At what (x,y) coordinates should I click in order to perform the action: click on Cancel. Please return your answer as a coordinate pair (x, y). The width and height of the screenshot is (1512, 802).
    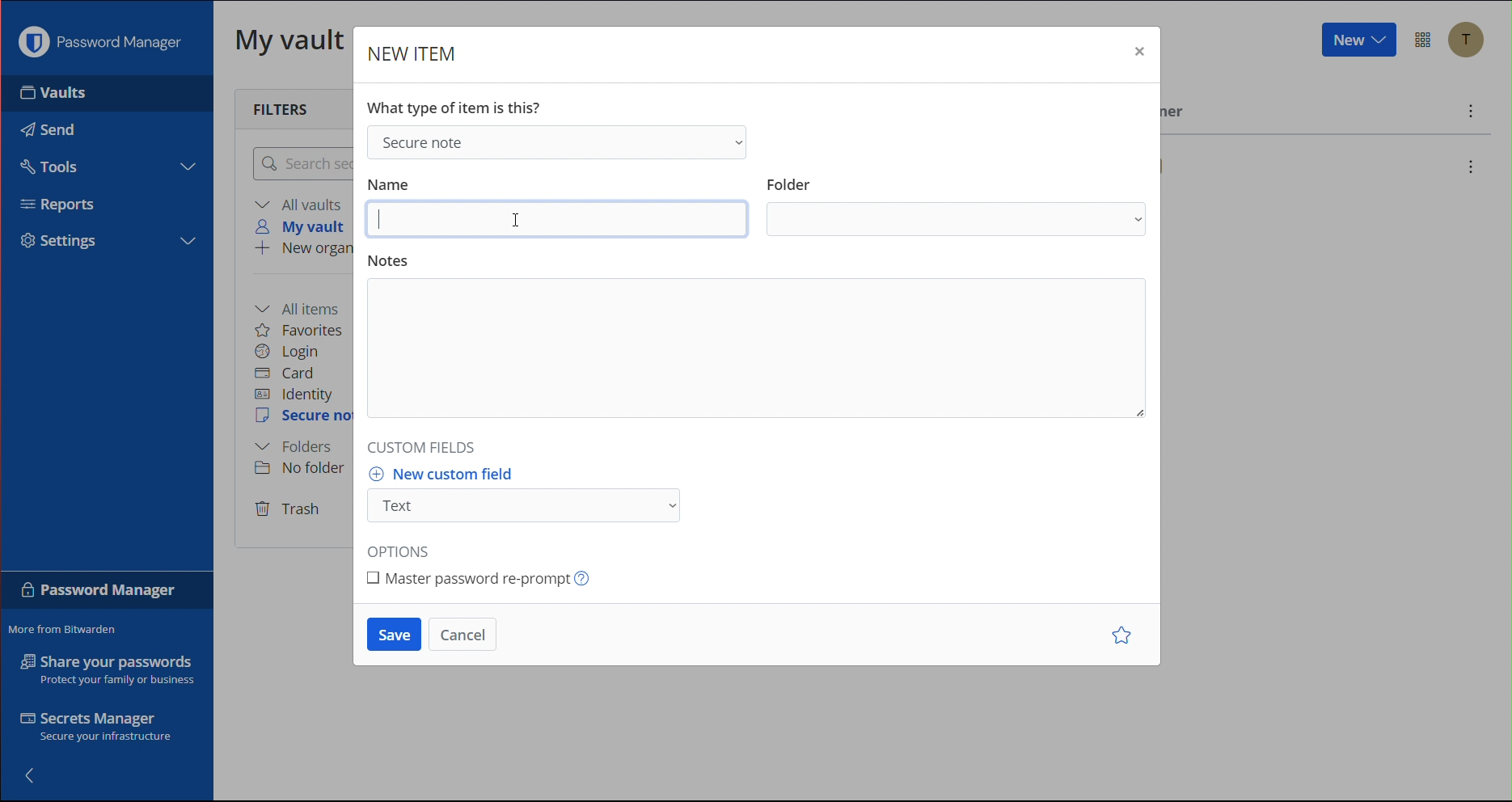
    Looking at the image, I should click on (463, 635).